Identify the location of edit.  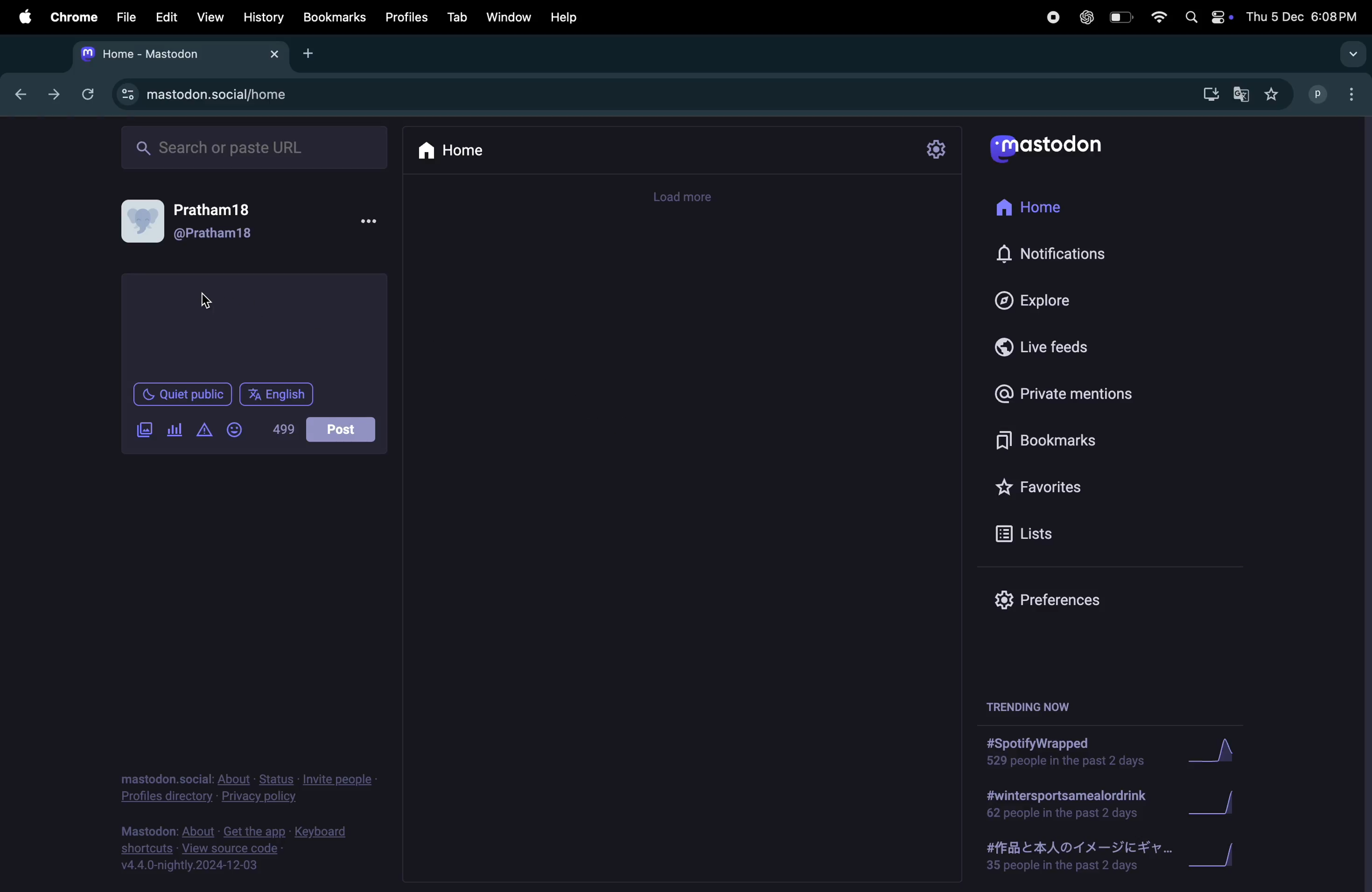
(168, 18).